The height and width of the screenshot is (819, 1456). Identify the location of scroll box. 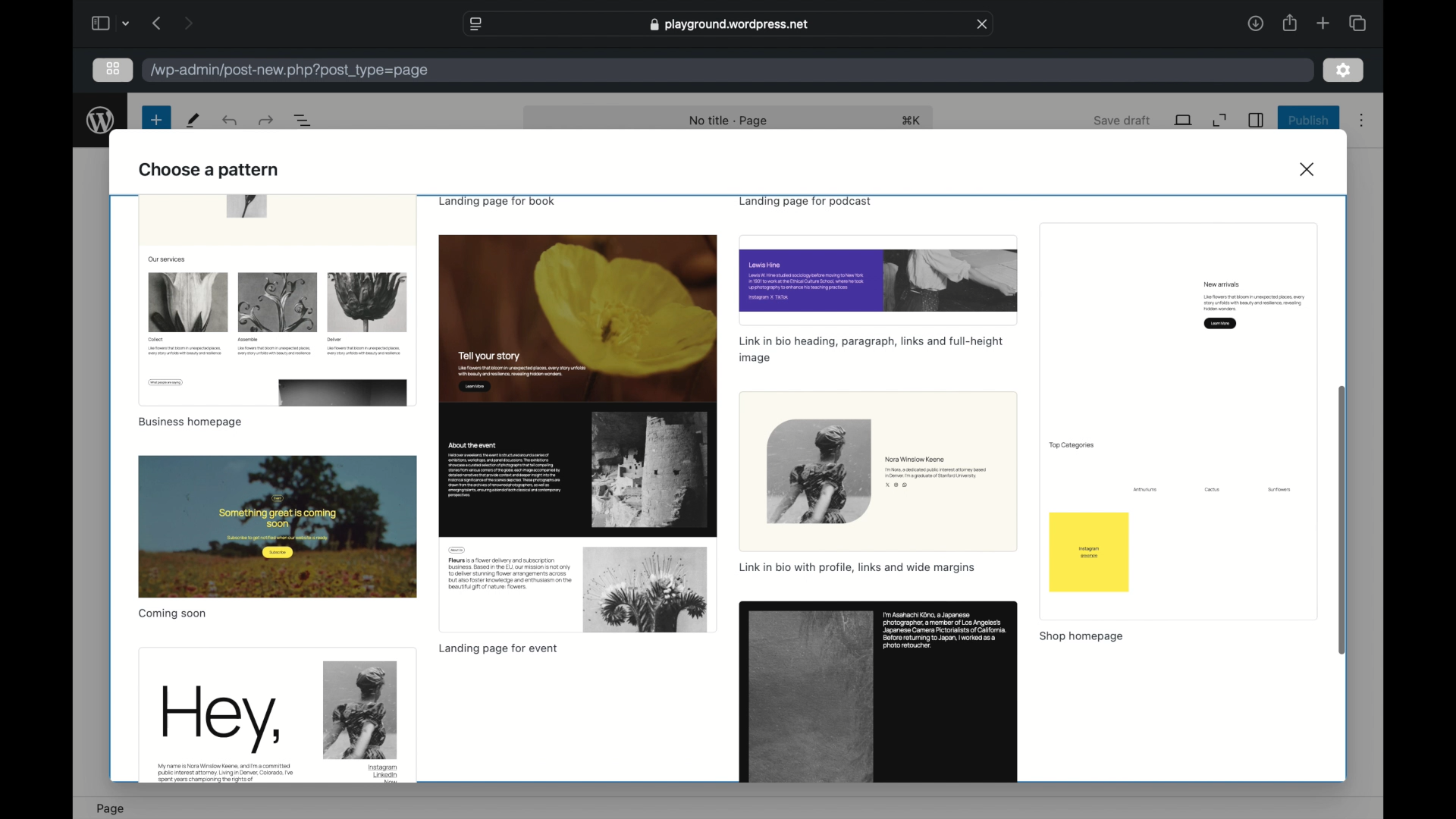
(1344, 519).